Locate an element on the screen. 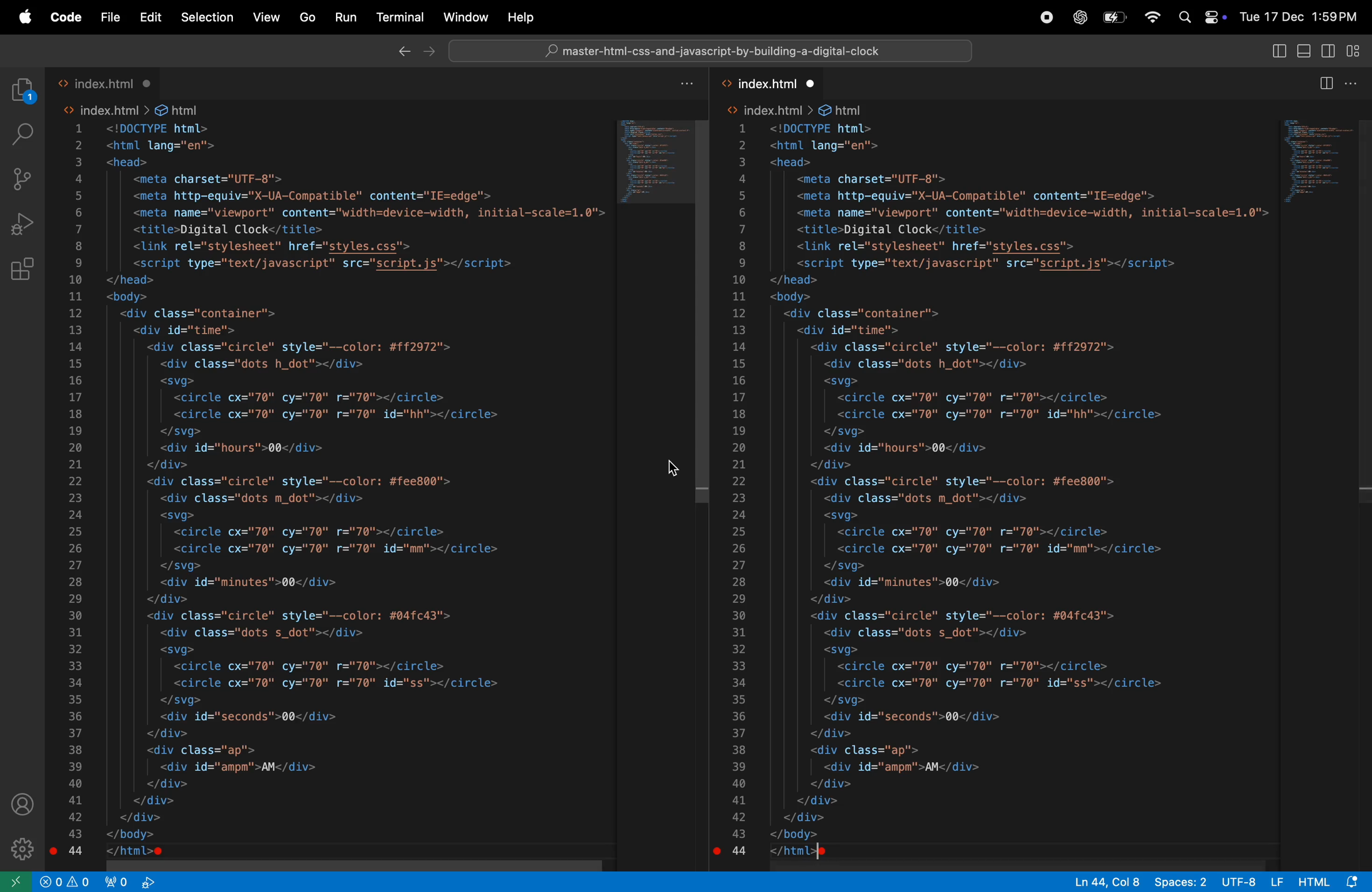  Vertical scroll bar is located at coordinates (1363, 307).